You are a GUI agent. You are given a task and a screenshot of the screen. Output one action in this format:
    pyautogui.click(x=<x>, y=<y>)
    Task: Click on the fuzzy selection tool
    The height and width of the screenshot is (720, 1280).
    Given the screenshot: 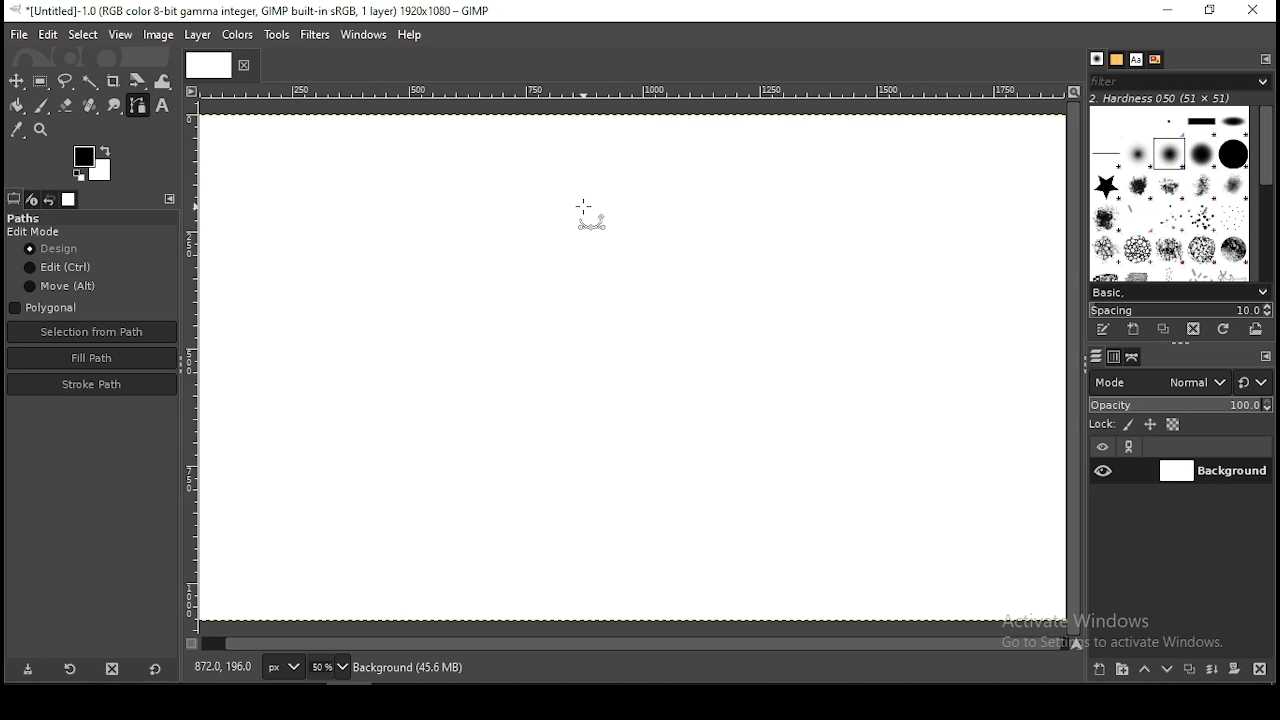 What is the action you would take?
    pyautogui.click(x=90, y=81)
    